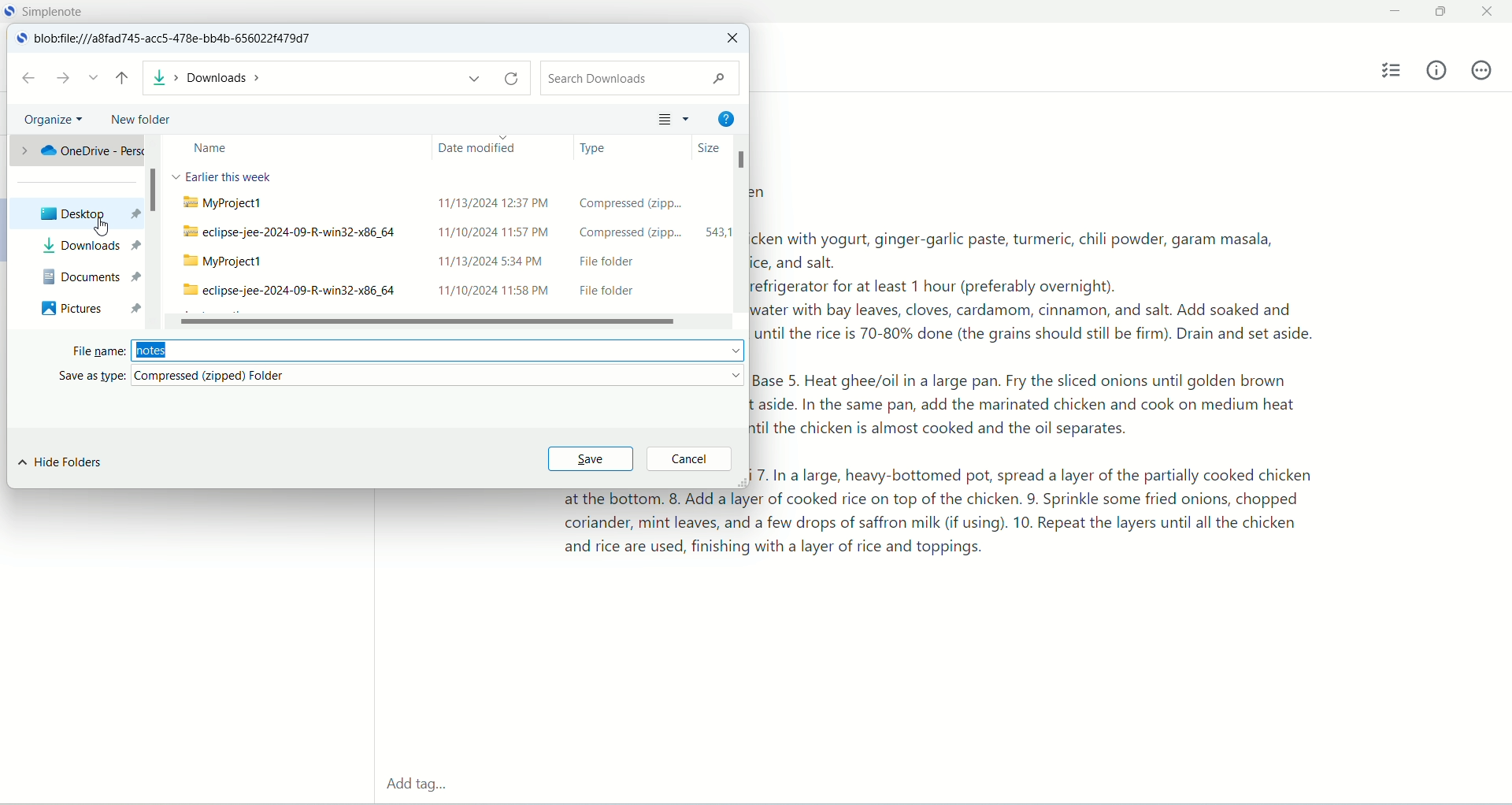 This screenshot has width=1512, height=805. What do you see at coordinates (1393, 71) in the screenshot?
I see `insert checklist` at bounding box center [1393, 71].